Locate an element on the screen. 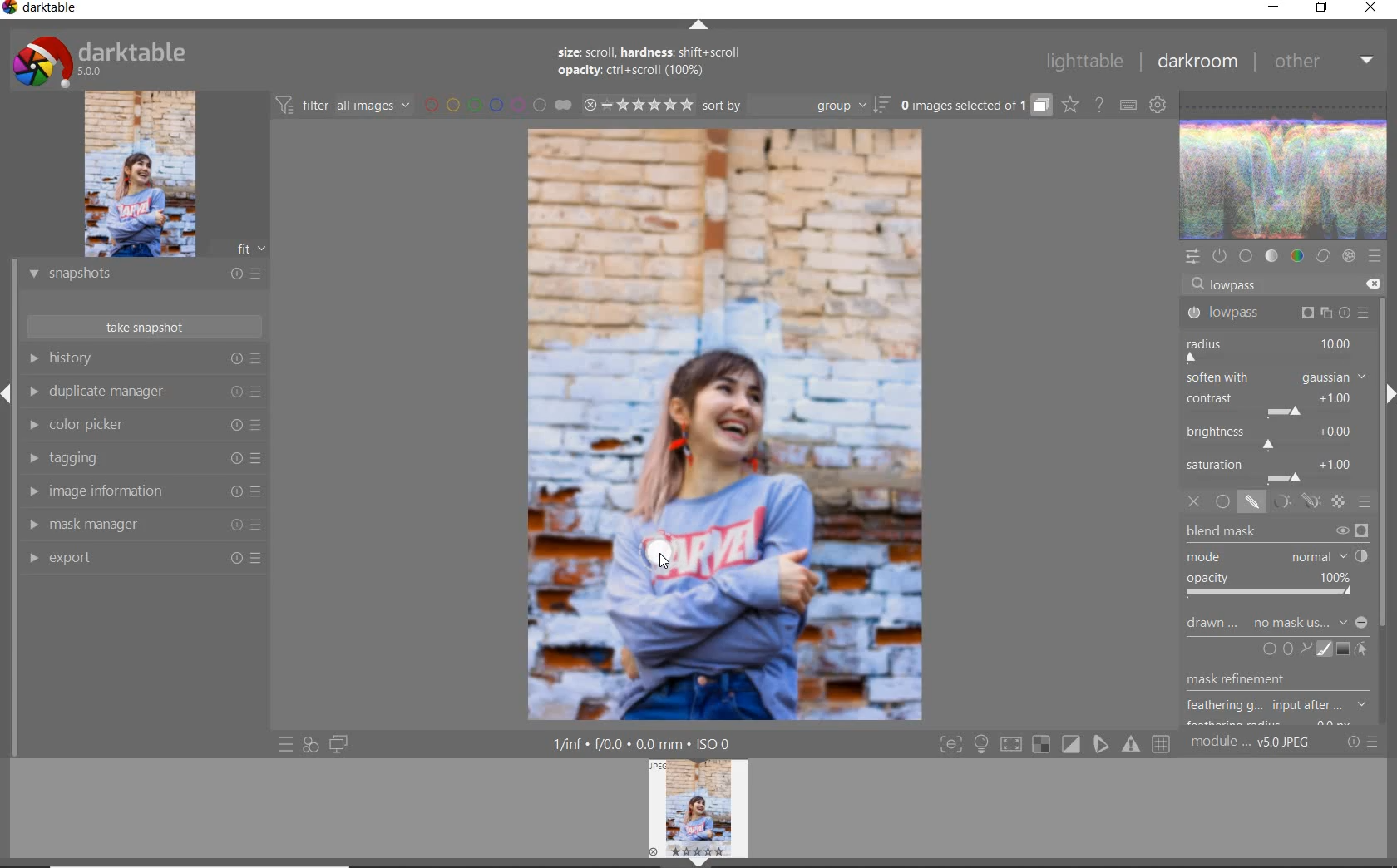 The image size is (1397, 868). lowpass is located at coordinates (1241, 286).